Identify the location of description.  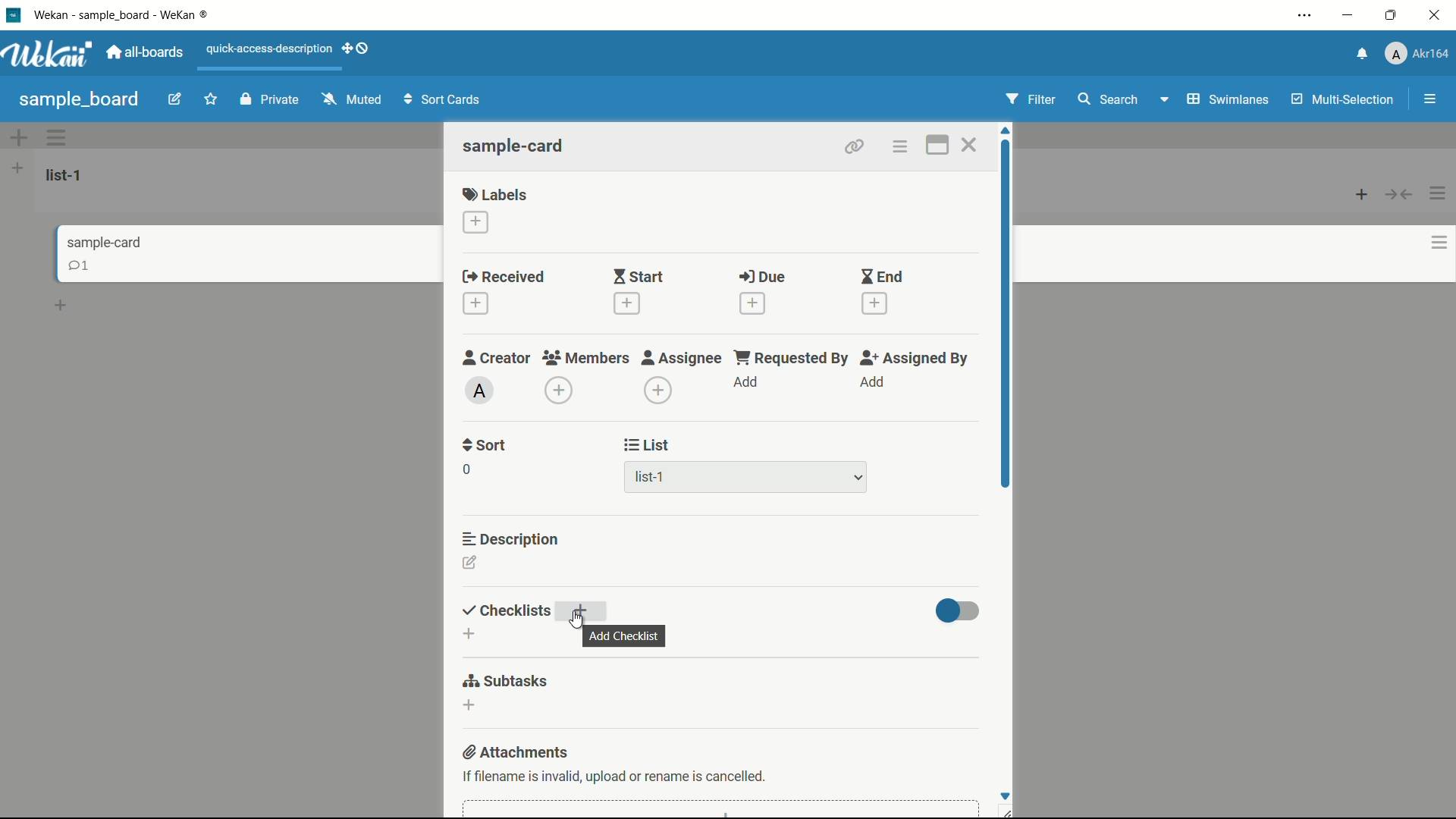
(515, 539).